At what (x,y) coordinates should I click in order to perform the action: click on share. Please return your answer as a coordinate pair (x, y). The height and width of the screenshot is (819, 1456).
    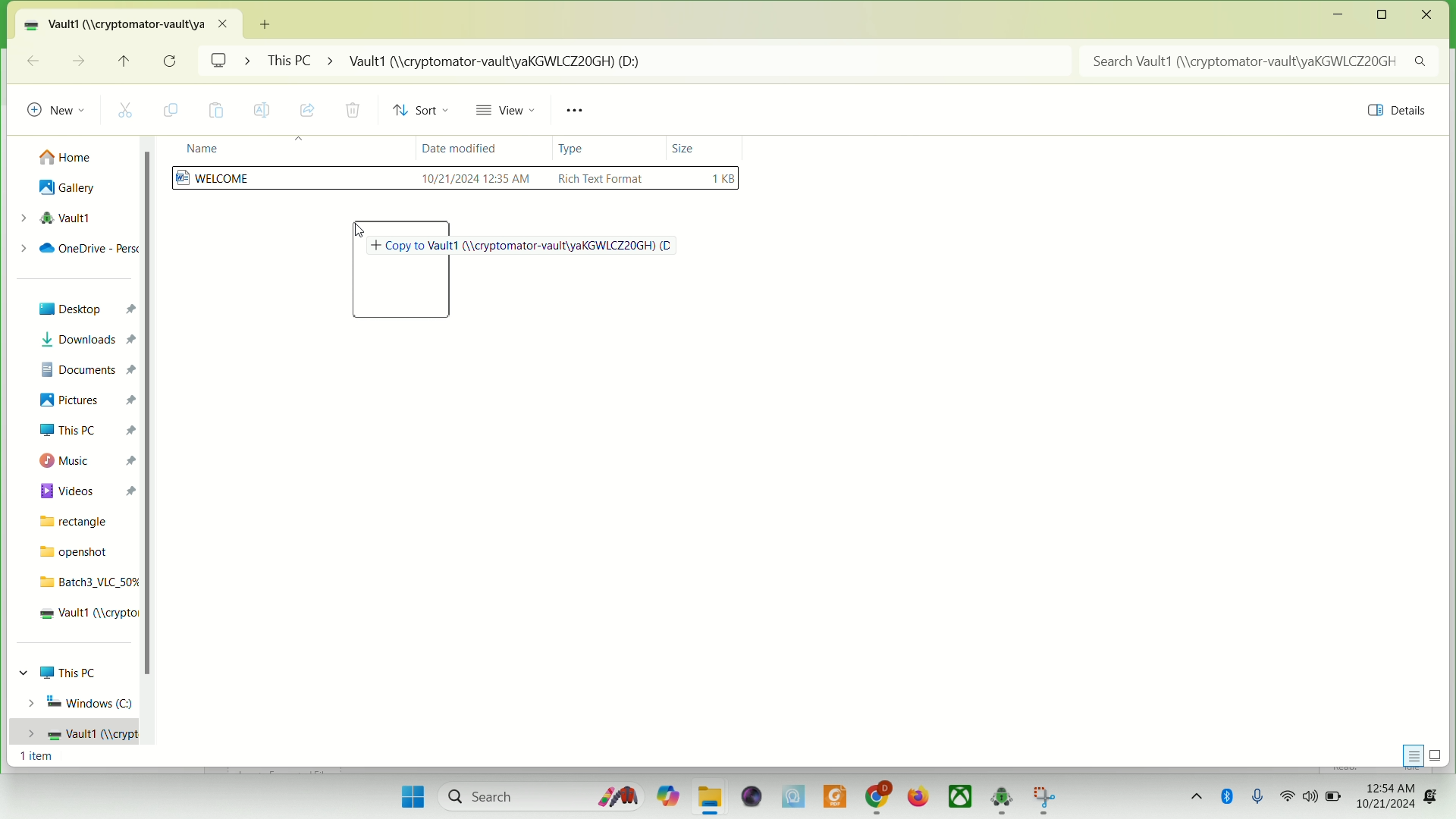
    Looking at the image, I should click on (308, 108).